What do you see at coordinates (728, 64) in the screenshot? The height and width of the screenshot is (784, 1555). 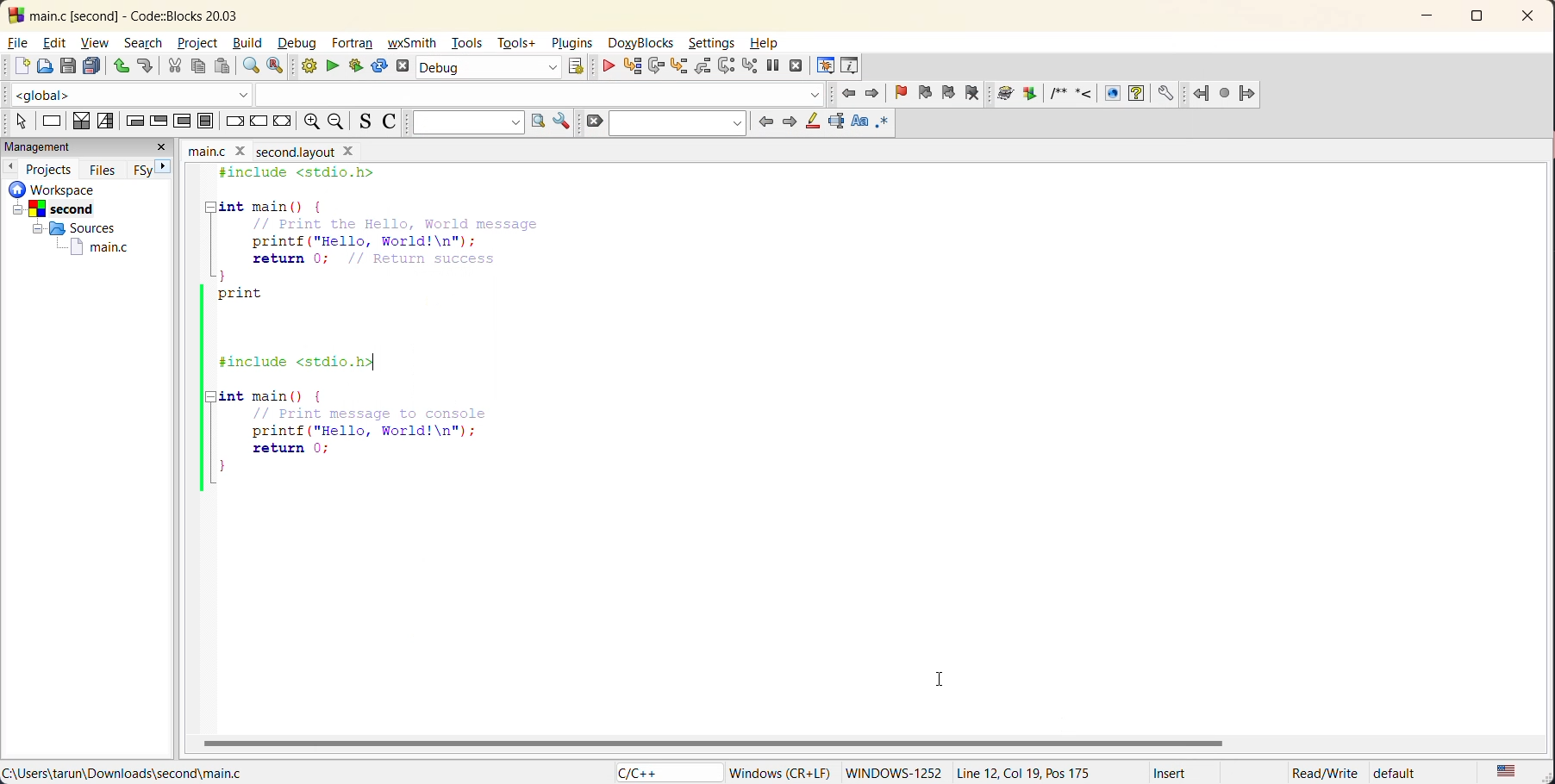 I see `next instruction` at bounding box center [728, 64].